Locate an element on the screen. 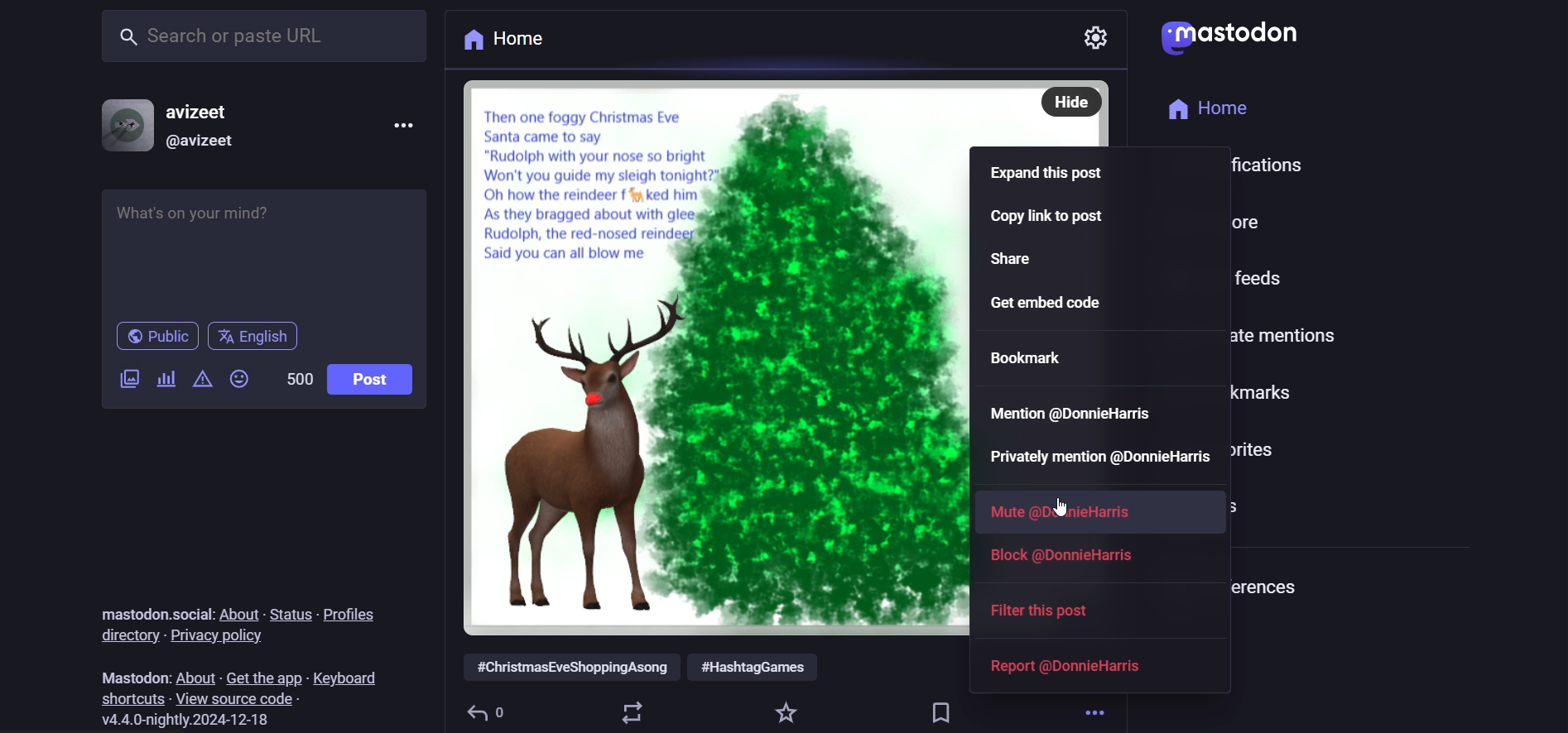 The height and width of the screenshot is (733, 1568). source code is located at coordinates (240, 700).